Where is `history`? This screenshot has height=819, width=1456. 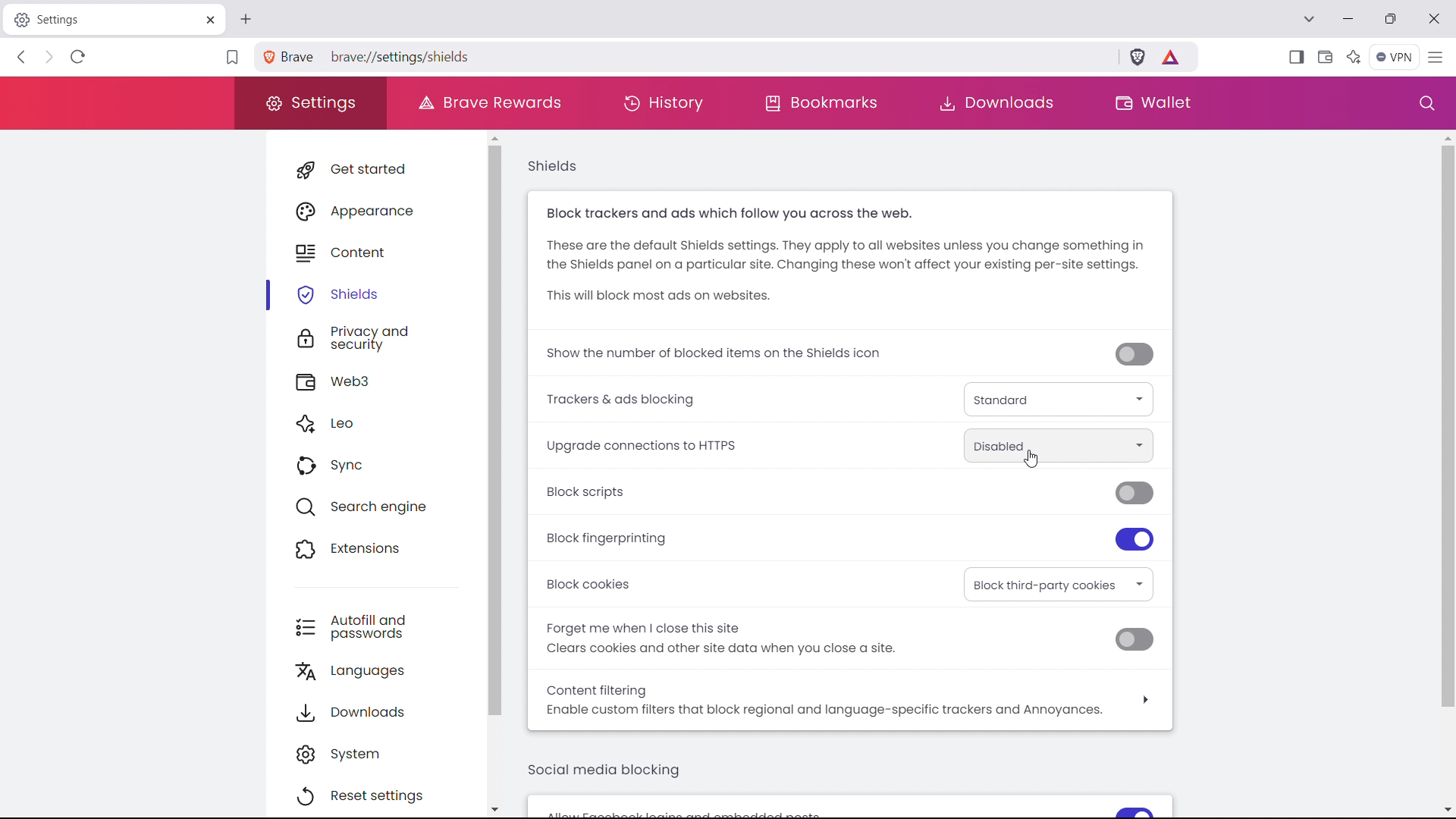 history is located at coordinates (663, 102).